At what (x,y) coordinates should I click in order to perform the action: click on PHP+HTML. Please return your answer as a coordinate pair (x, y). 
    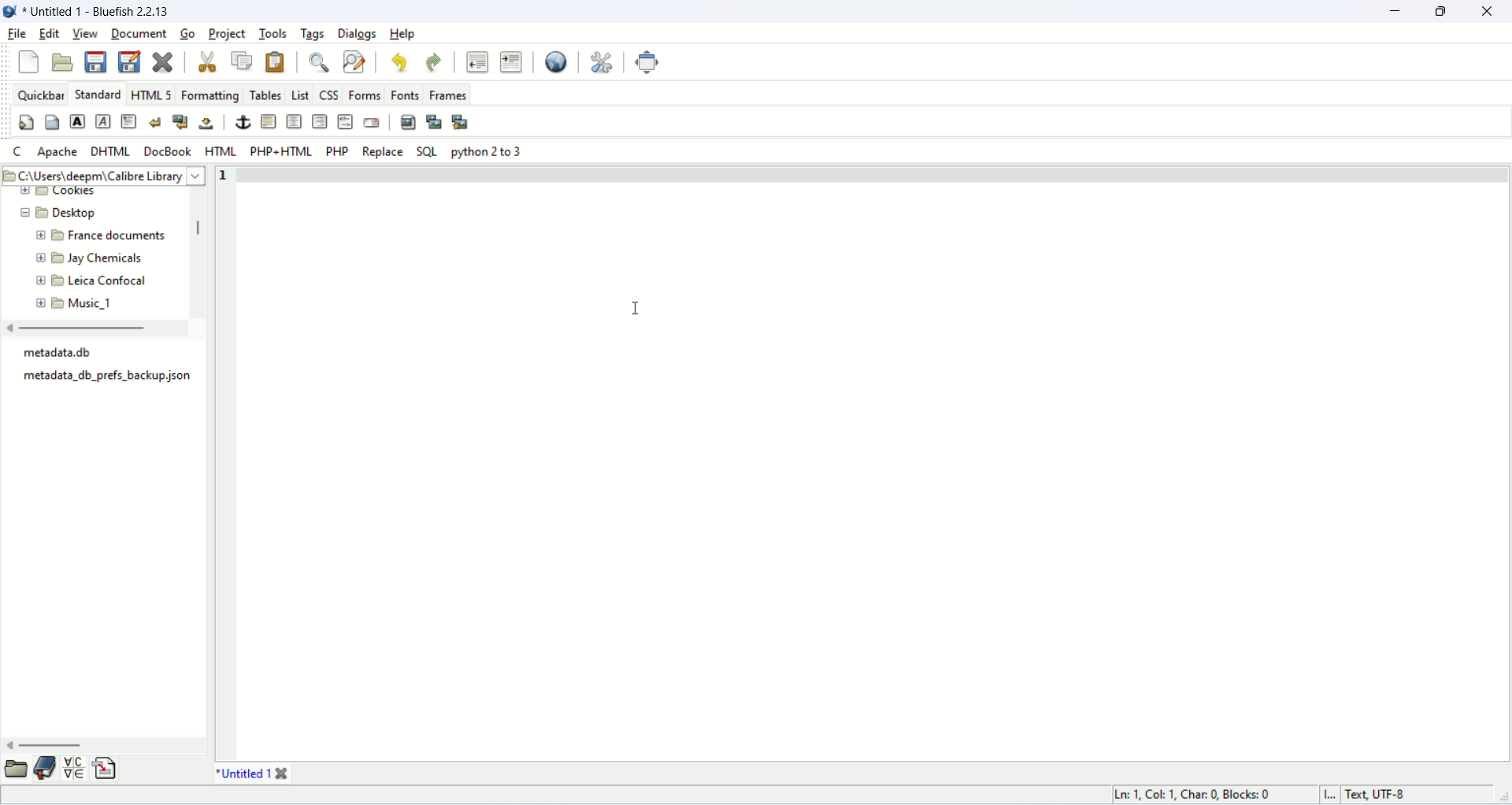
    Looking at the image, I should click on (280, 151).